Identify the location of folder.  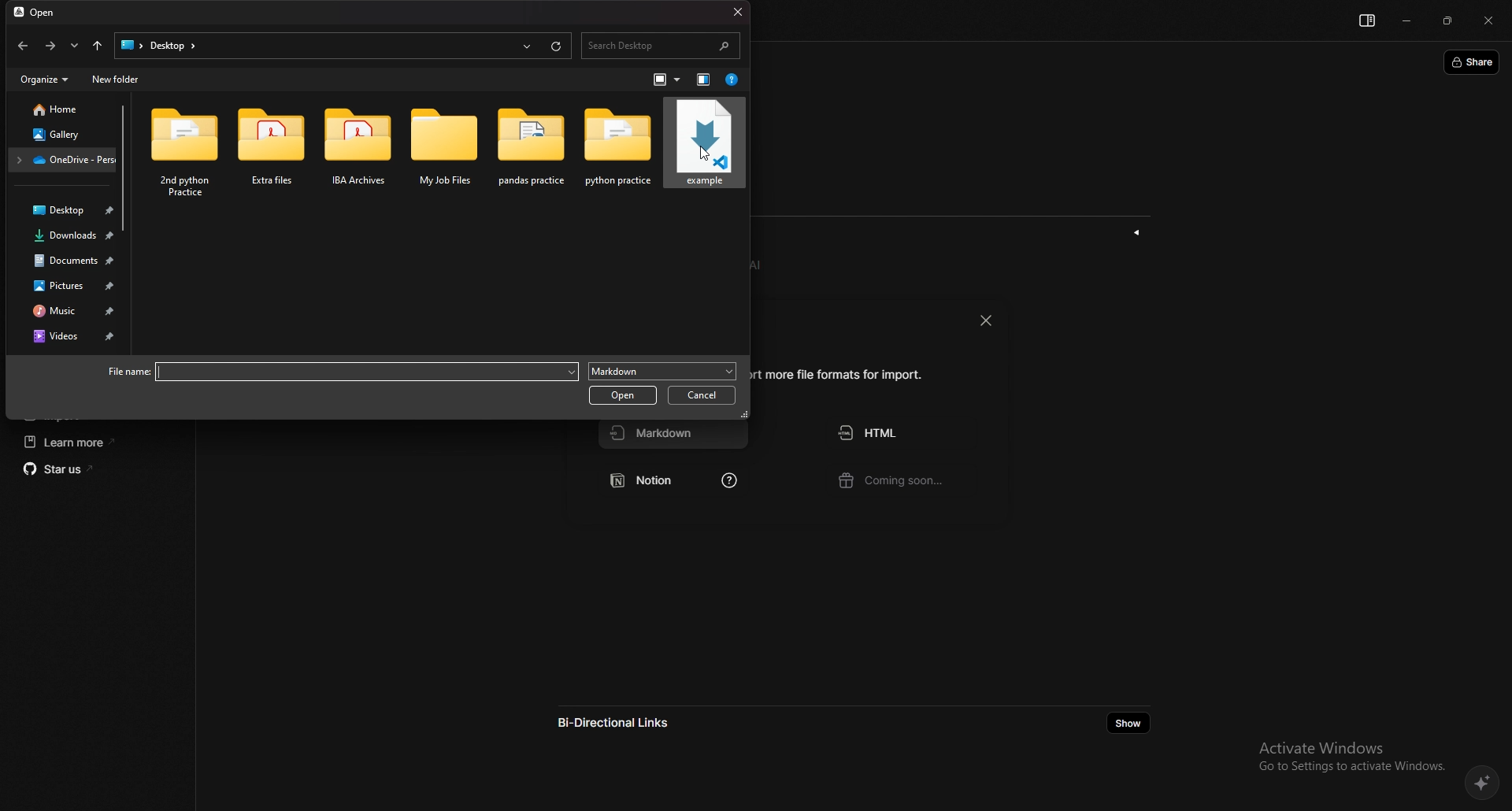
(617, 155).